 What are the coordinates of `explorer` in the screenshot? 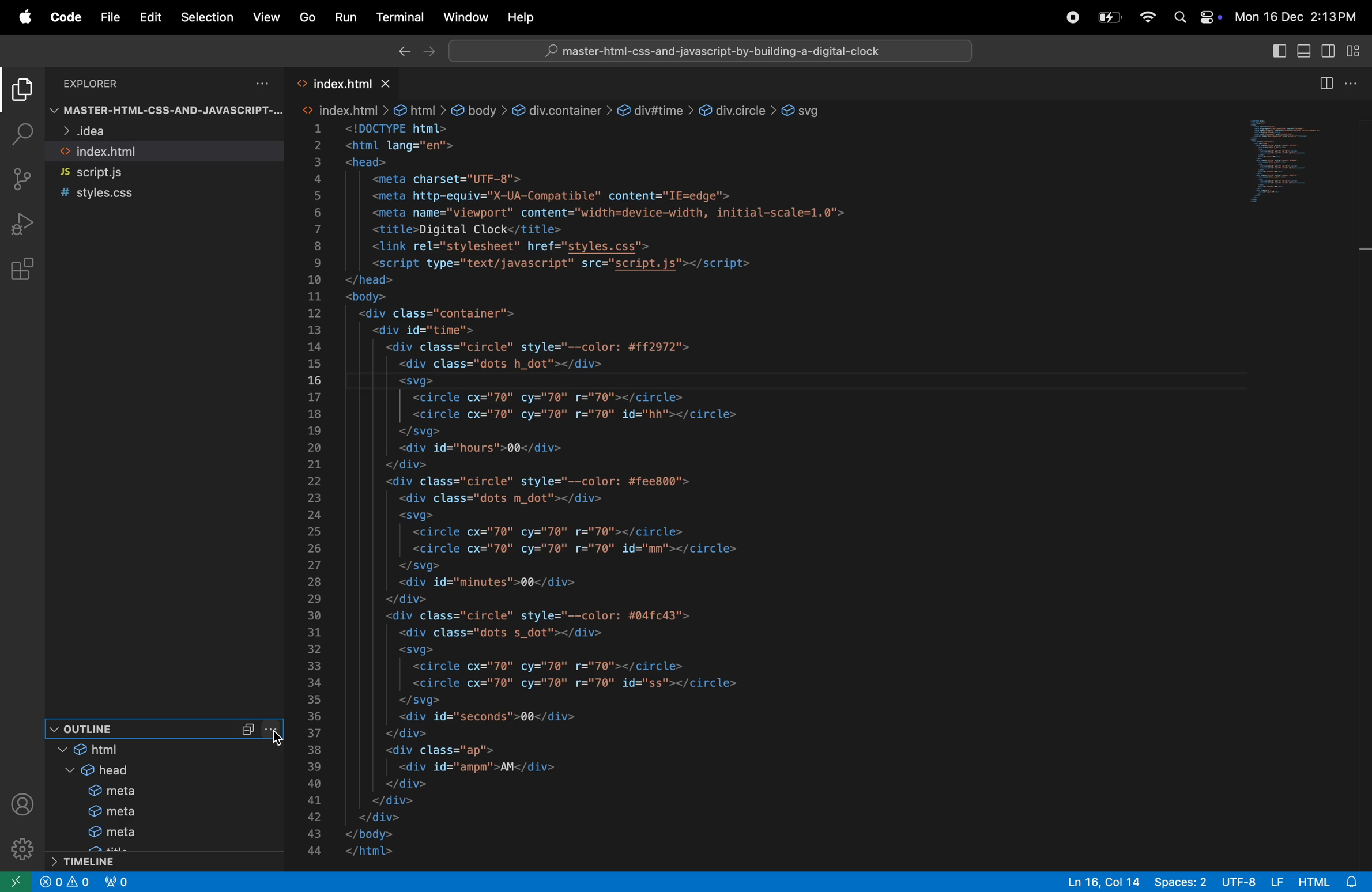 It's located at (21, 91).